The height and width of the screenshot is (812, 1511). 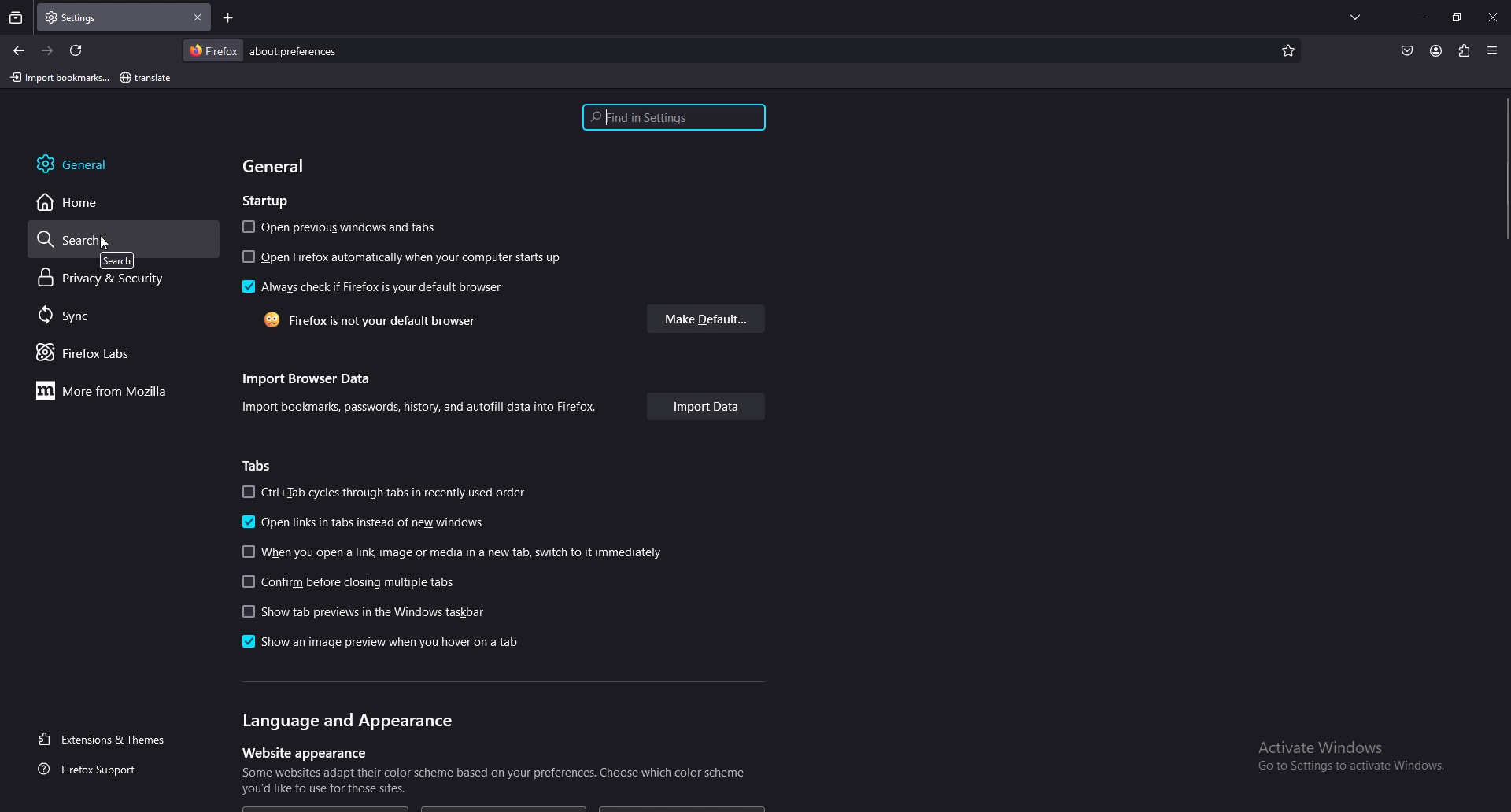 I want to click on list all tabs, so click(x=1358, y=17).